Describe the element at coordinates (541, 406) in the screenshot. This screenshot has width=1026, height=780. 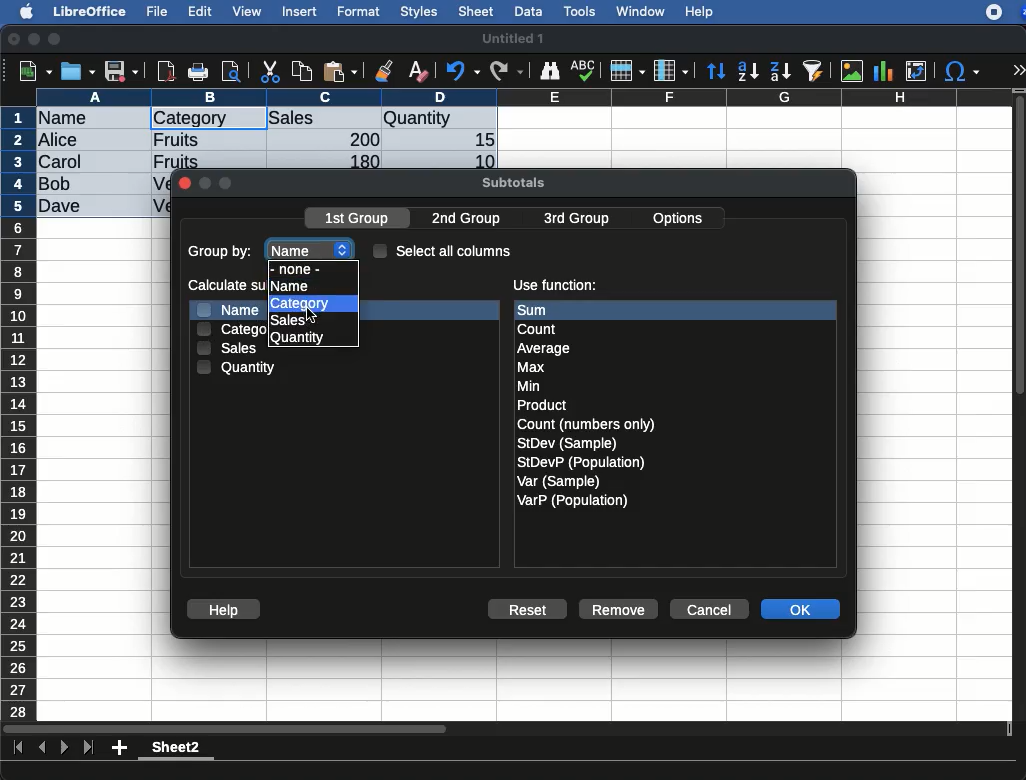
I see `Product` at that location.